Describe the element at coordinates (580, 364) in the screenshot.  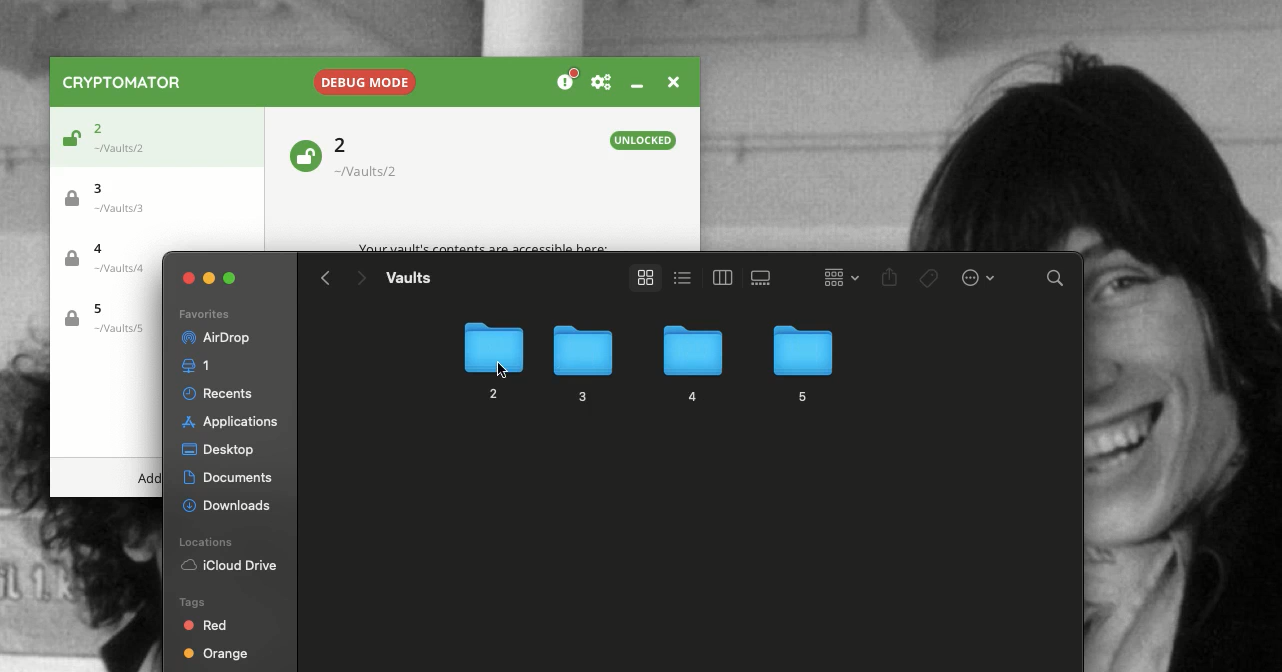
I see `3` at that location.